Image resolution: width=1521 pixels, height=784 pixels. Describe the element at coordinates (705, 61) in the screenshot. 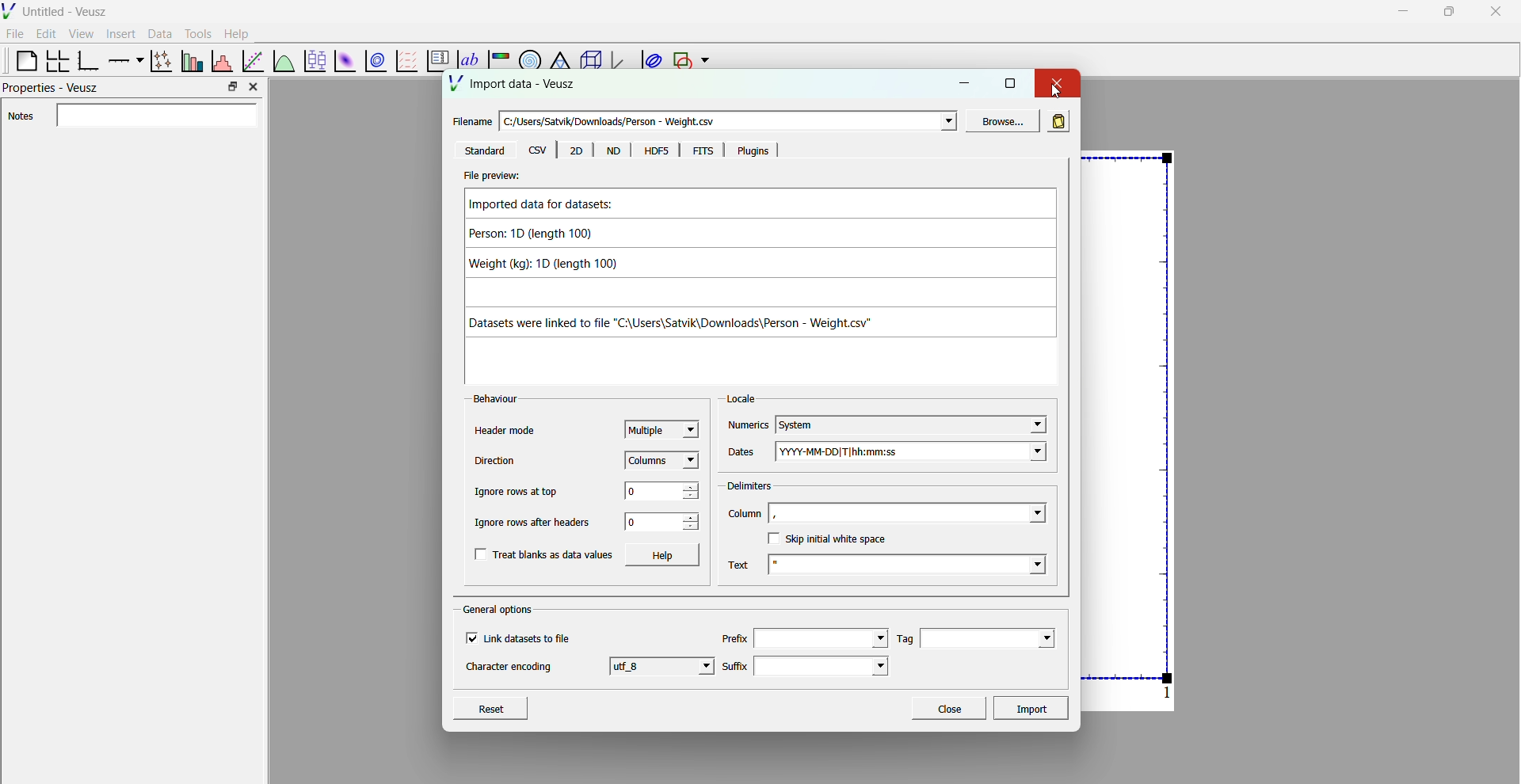

I see `dropdown` at that location.